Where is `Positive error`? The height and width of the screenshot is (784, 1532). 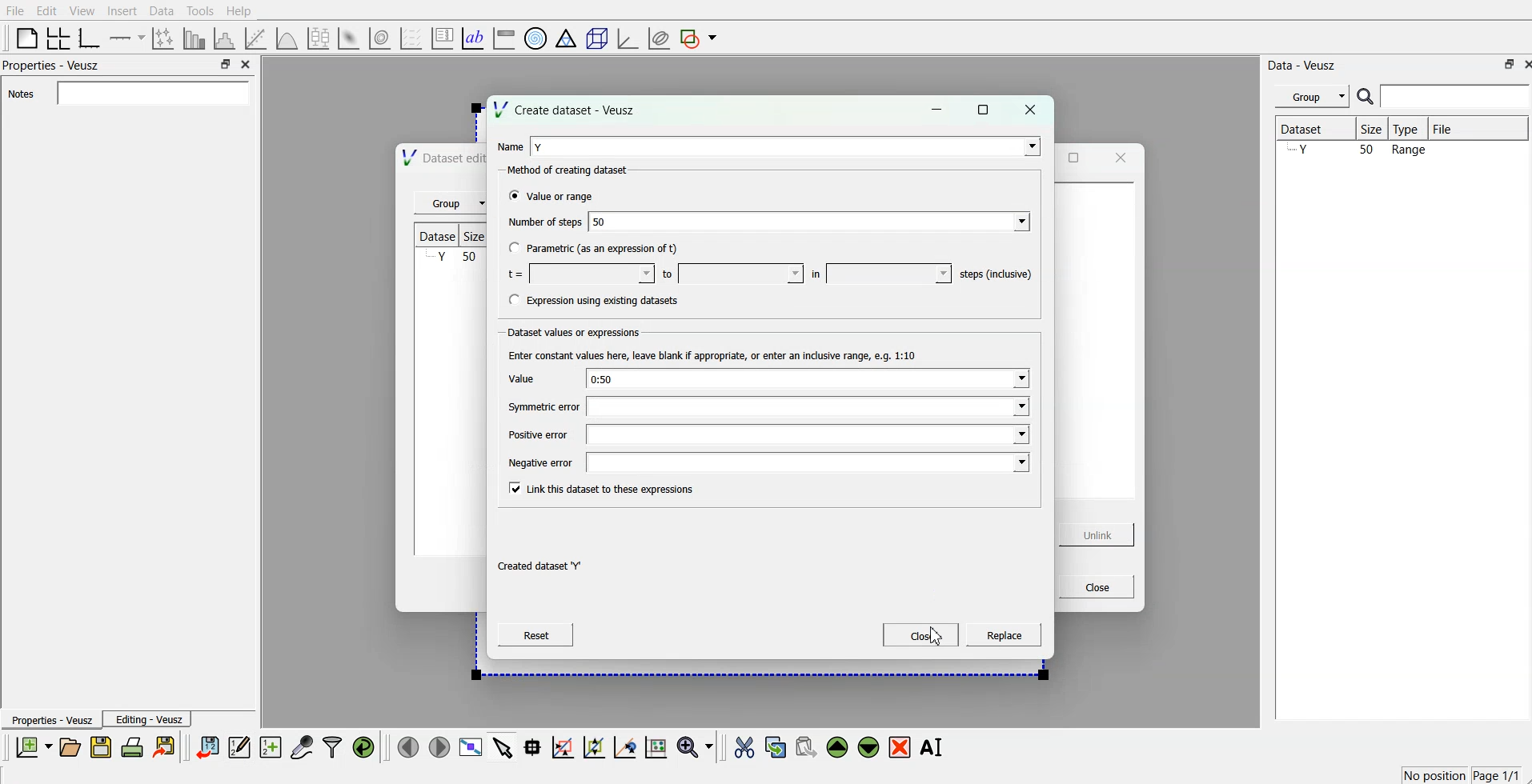 Positive error is located at coordinates (539, 434).